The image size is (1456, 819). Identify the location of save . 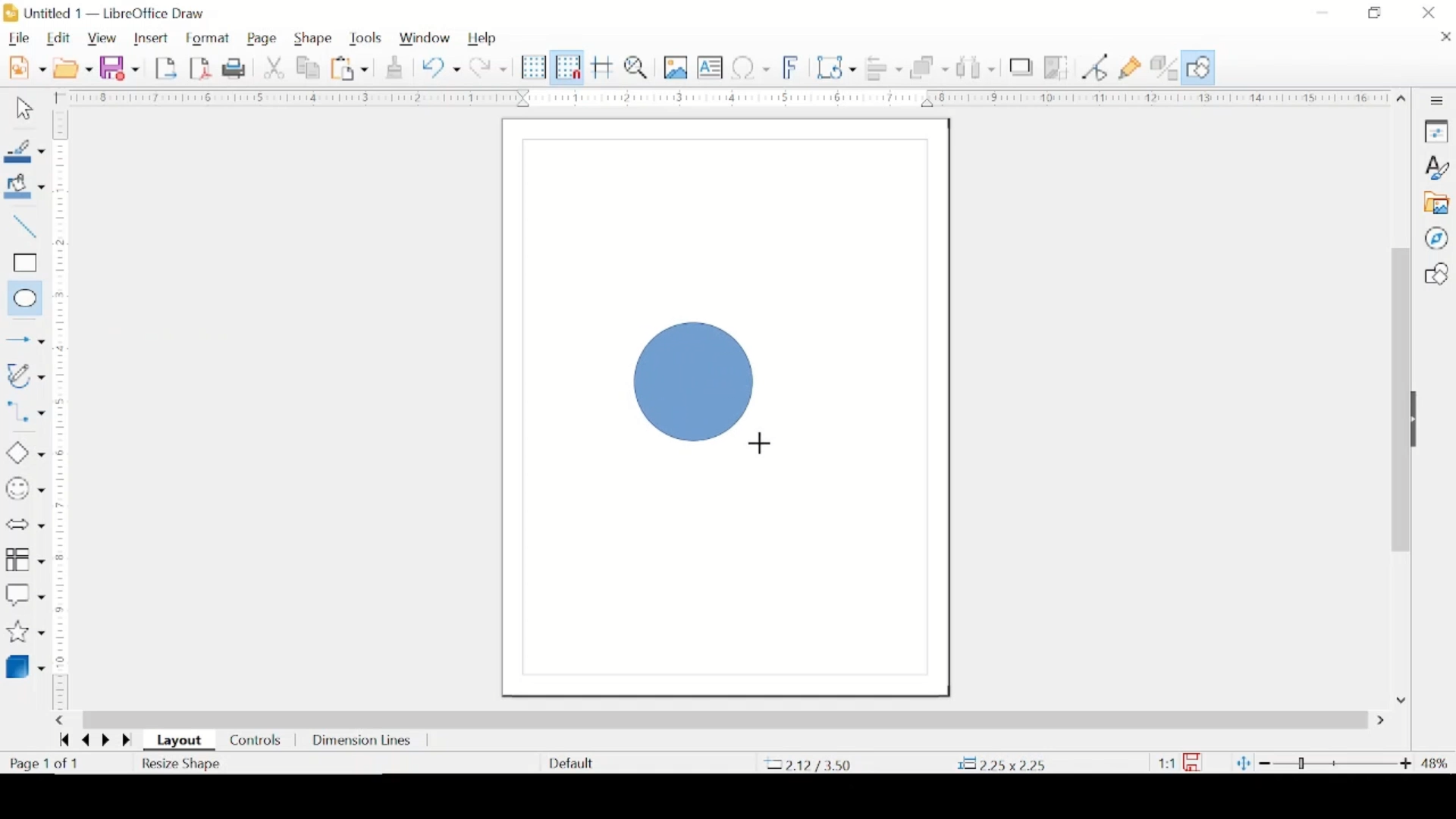
(120, 67).